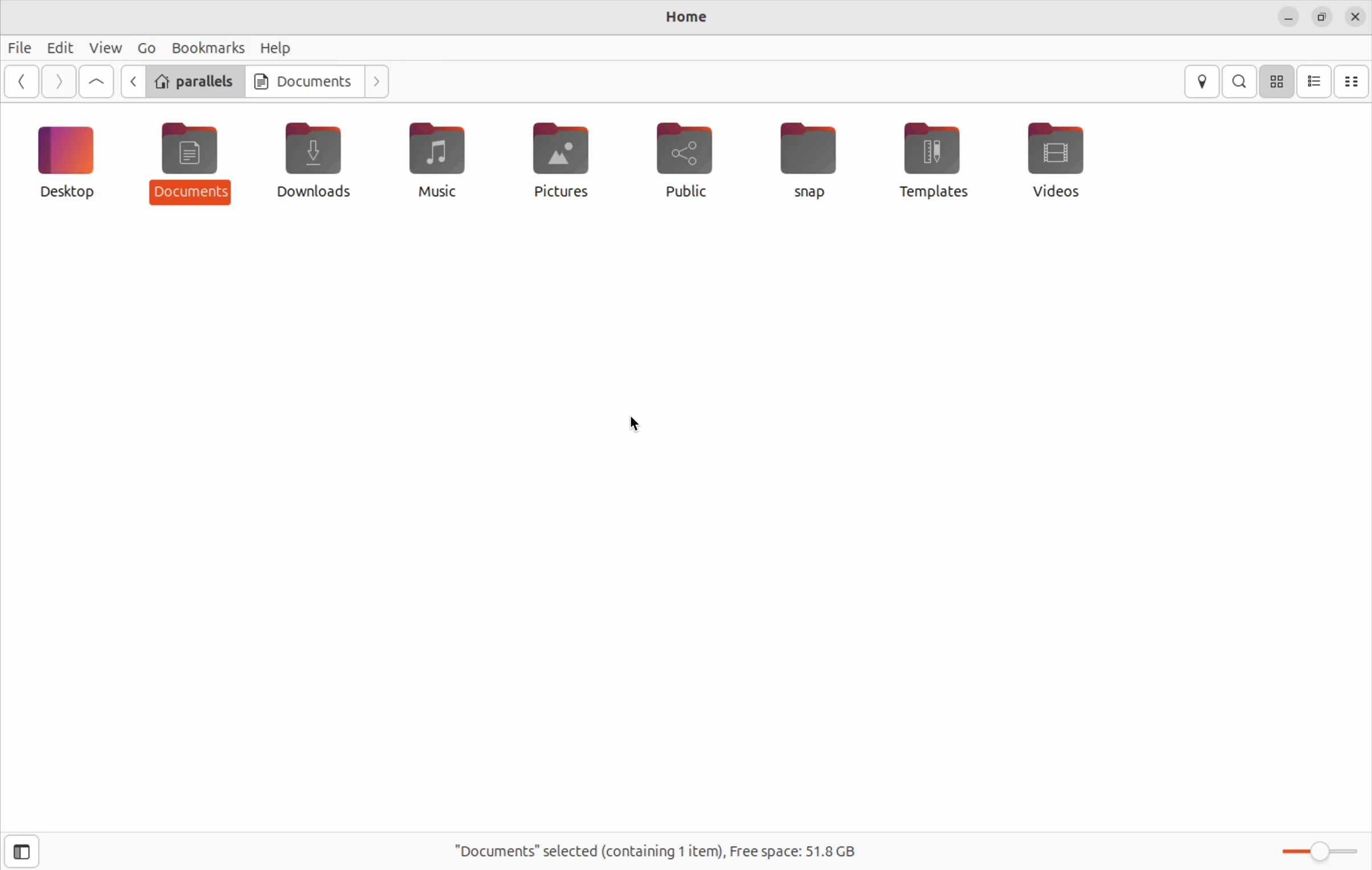  I want to click on go next, so click(56, 80).